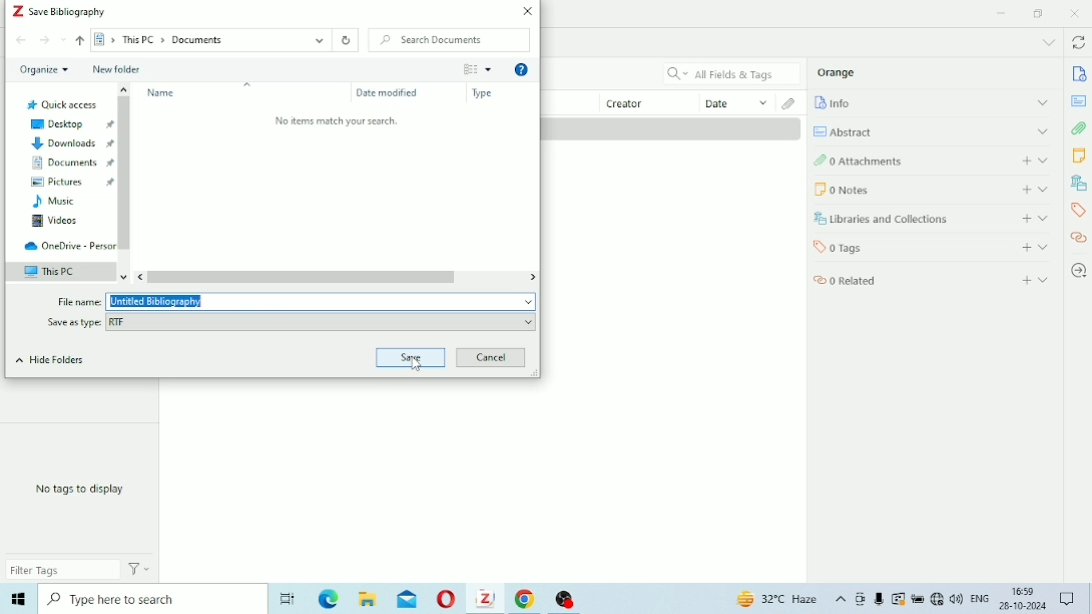 The image size is (1092, 614). I want to click on Cursor, so click(416, 364).